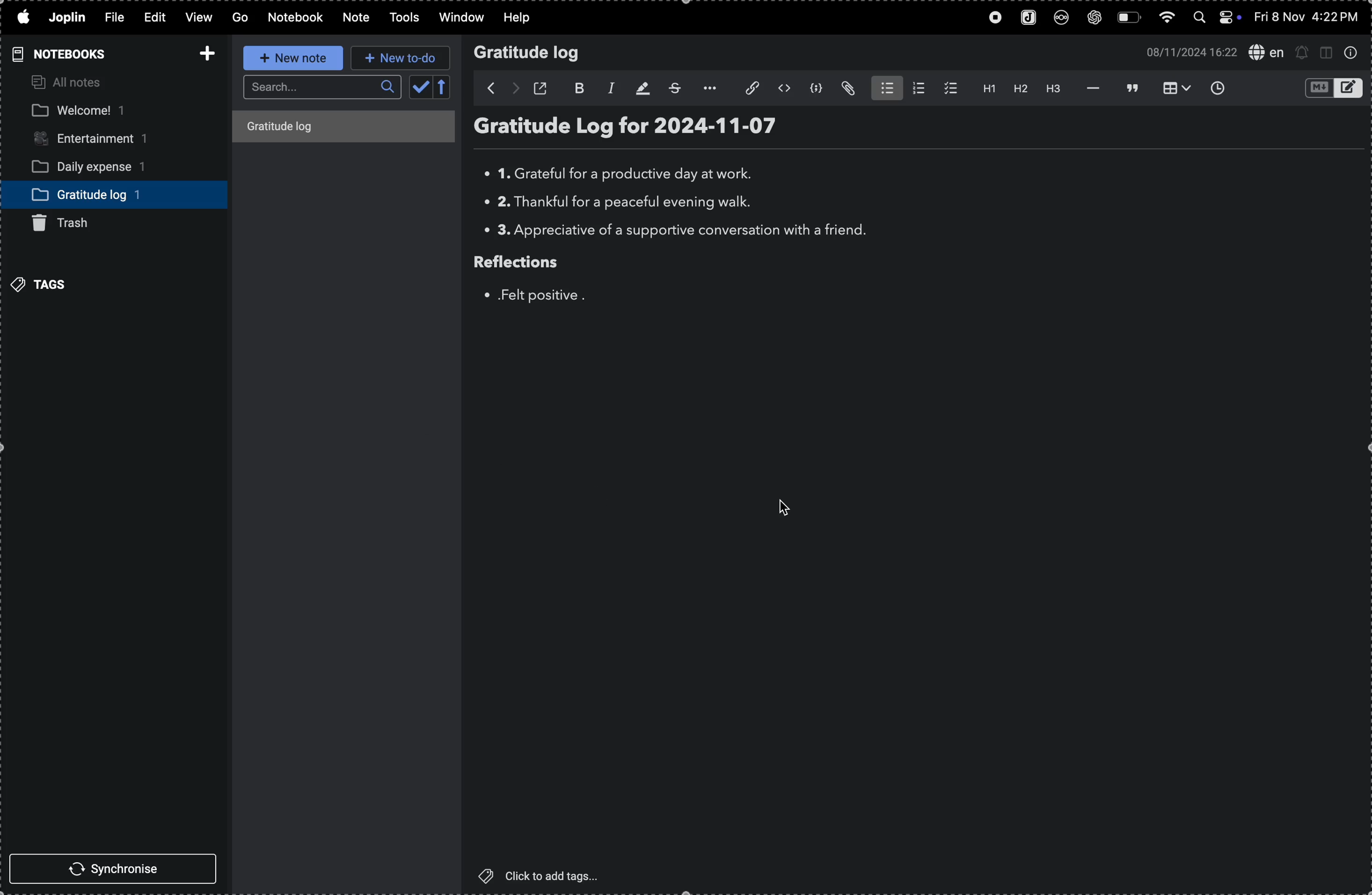 This screenshot has height=895, width=1372. I want to click on bold, so click(574, 87).